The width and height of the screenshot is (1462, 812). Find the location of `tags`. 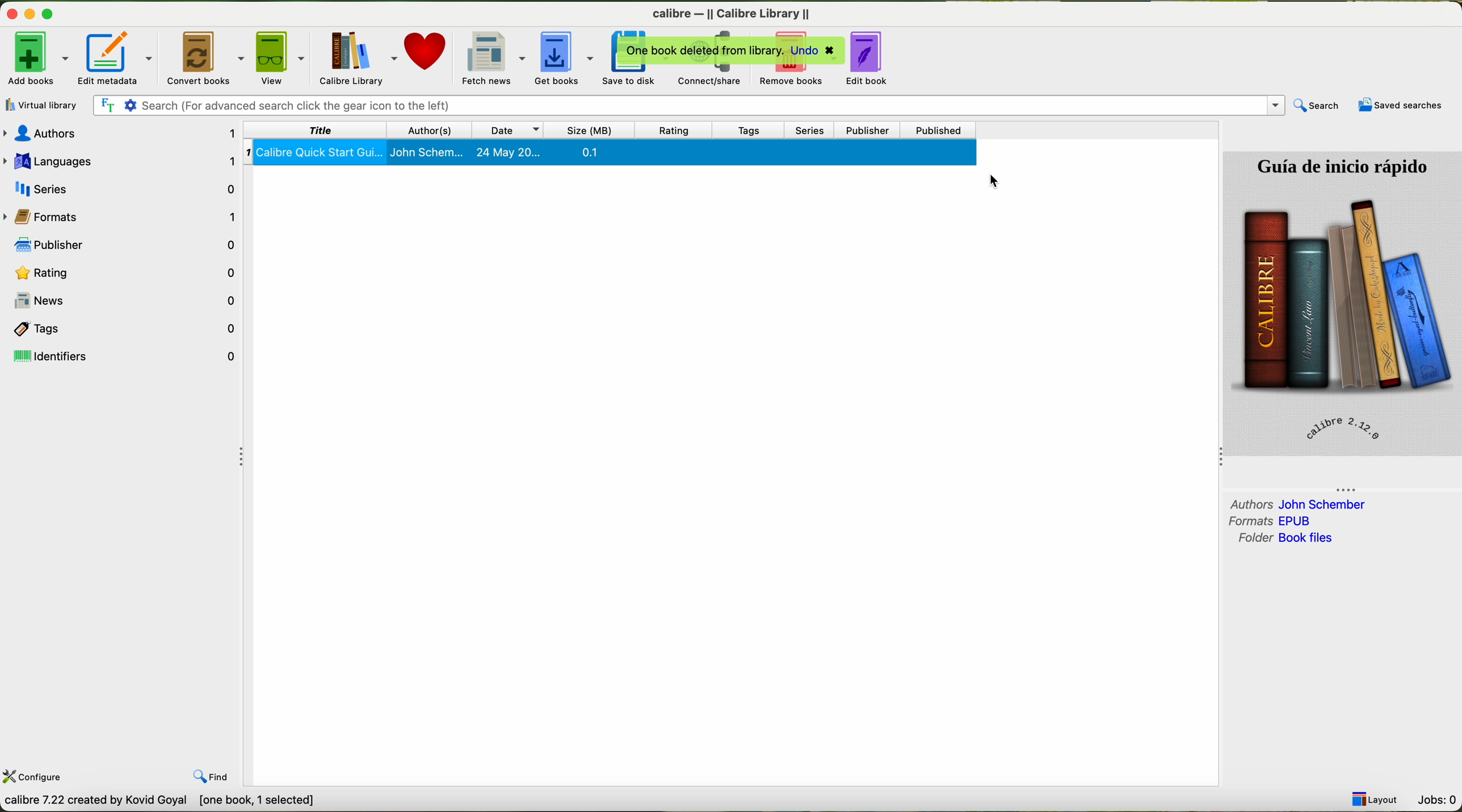

tags is located at coordinates (748, 130).